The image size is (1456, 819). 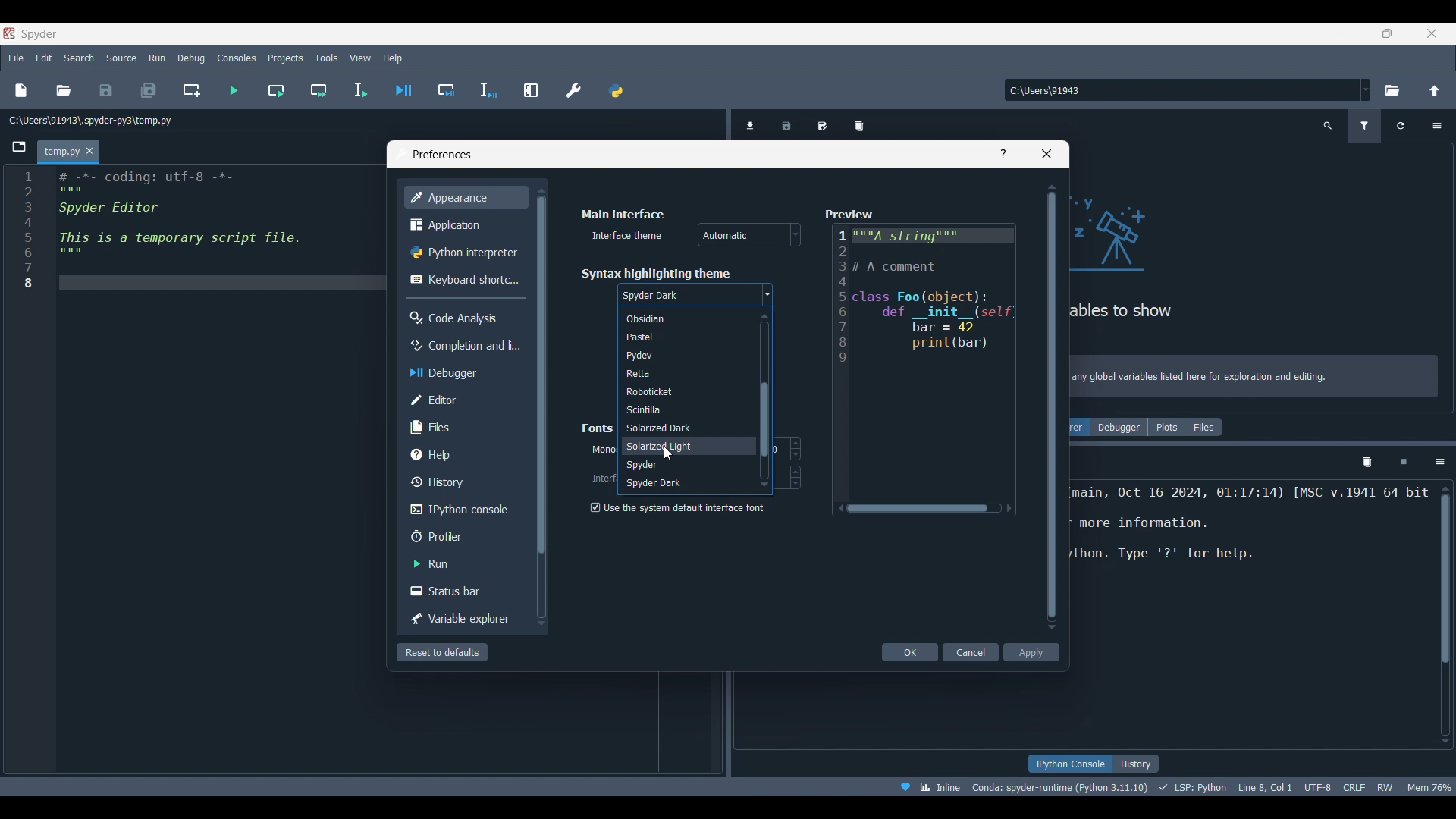 What do you see at coordinates (764, 400) in the screenshot?
I see `Vertical slide bar` at bounding box center [764, 400].